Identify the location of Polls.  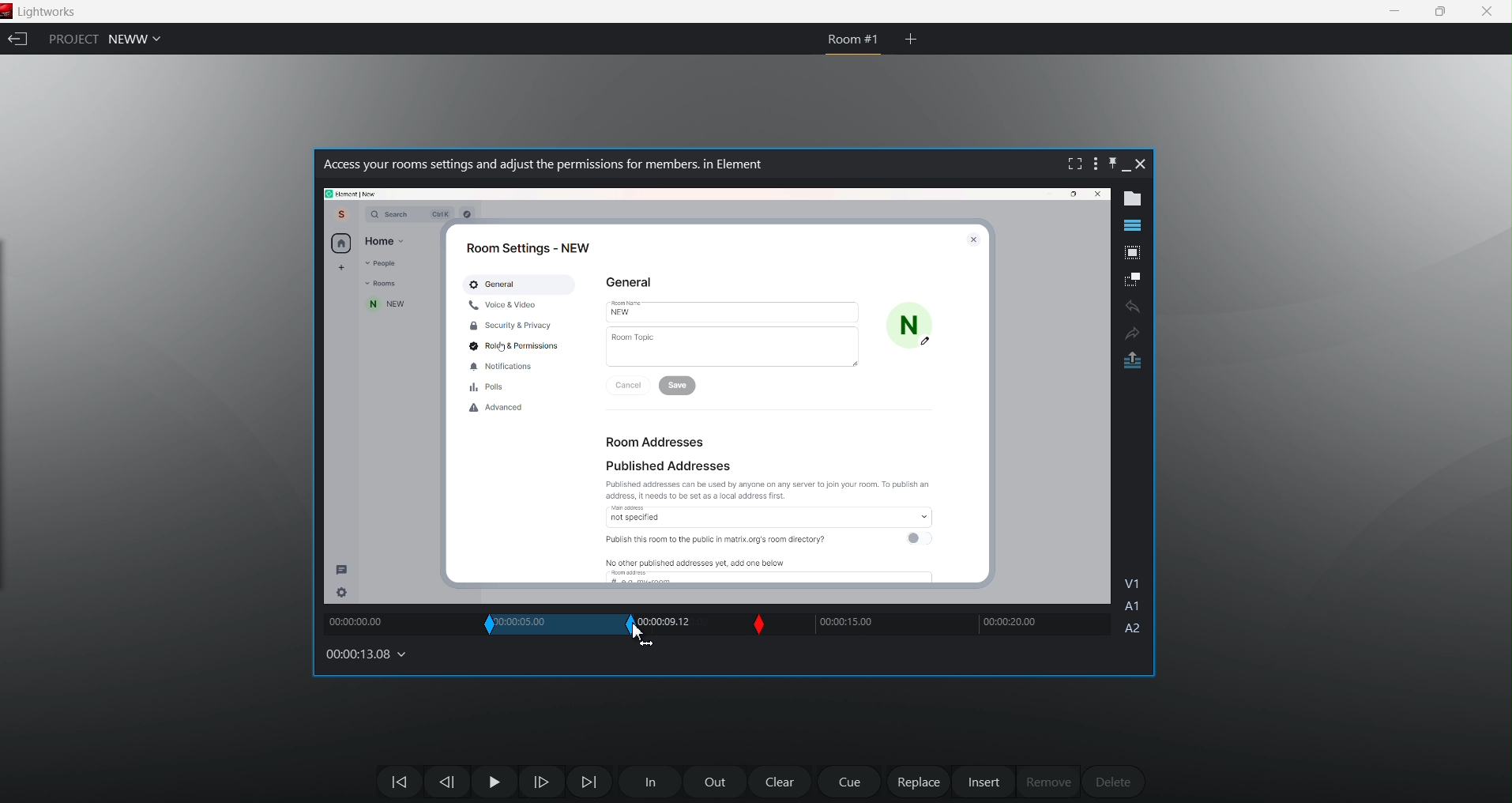
(488, 386).